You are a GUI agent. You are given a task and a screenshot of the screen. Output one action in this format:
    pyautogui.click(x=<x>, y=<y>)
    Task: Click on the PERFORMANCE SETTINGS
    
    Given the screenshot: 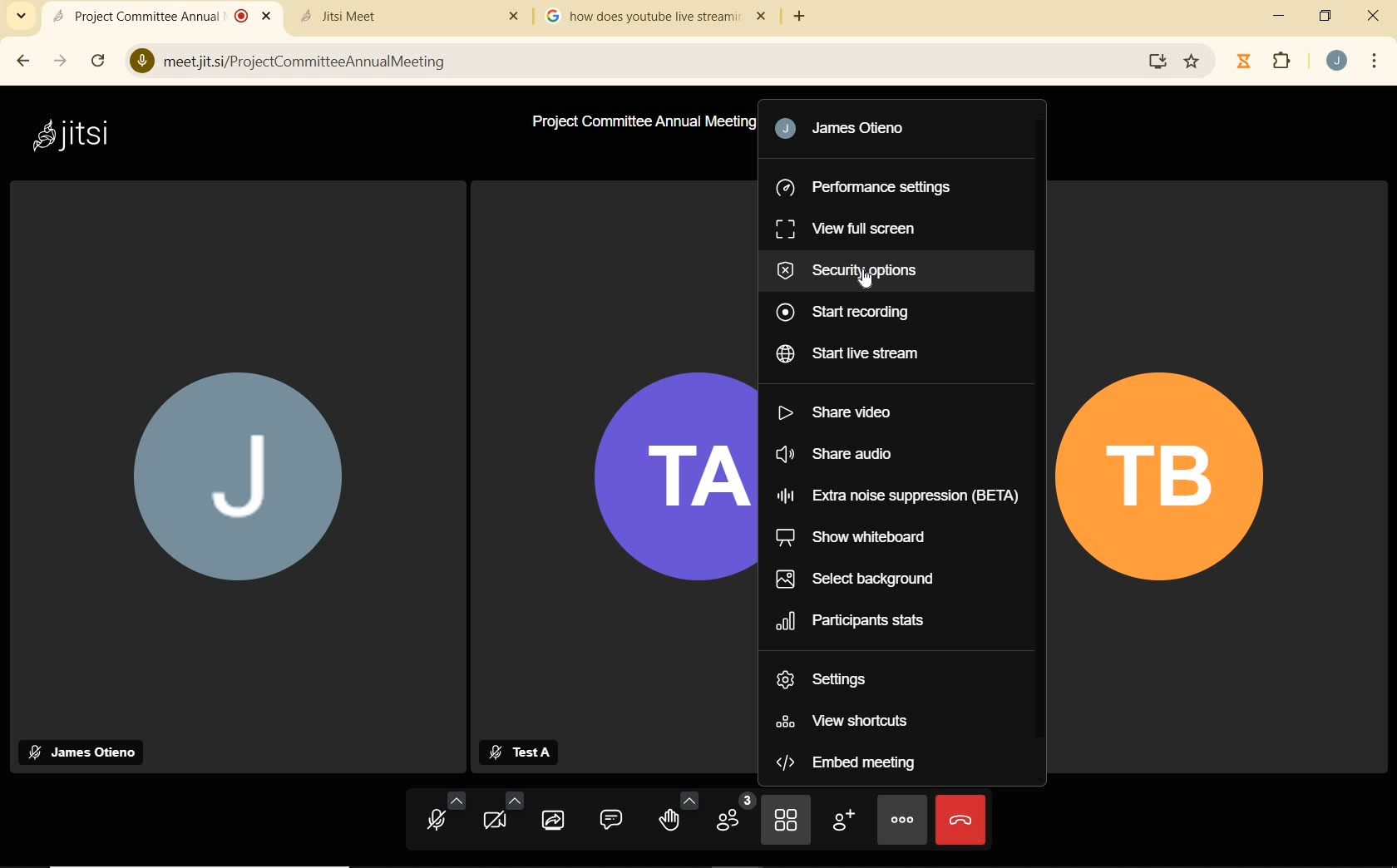 What is the action you would take?
    pyautogui.click(x=864, y=186)
    